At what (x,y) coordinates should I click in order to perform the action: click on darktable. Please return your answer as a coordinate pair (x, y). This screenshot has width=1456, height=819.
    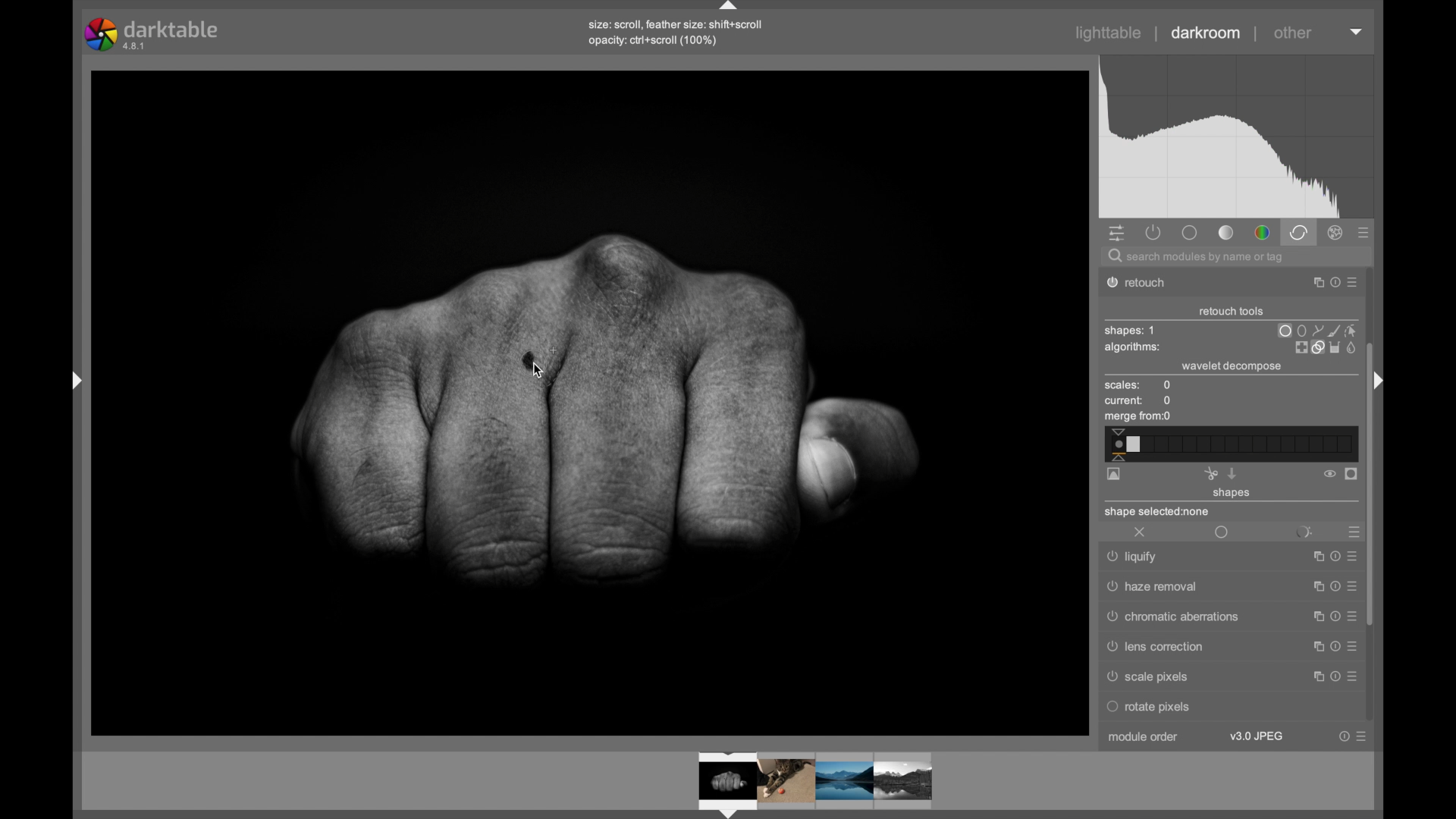
    Looking at the image, I should click on (153, 34).